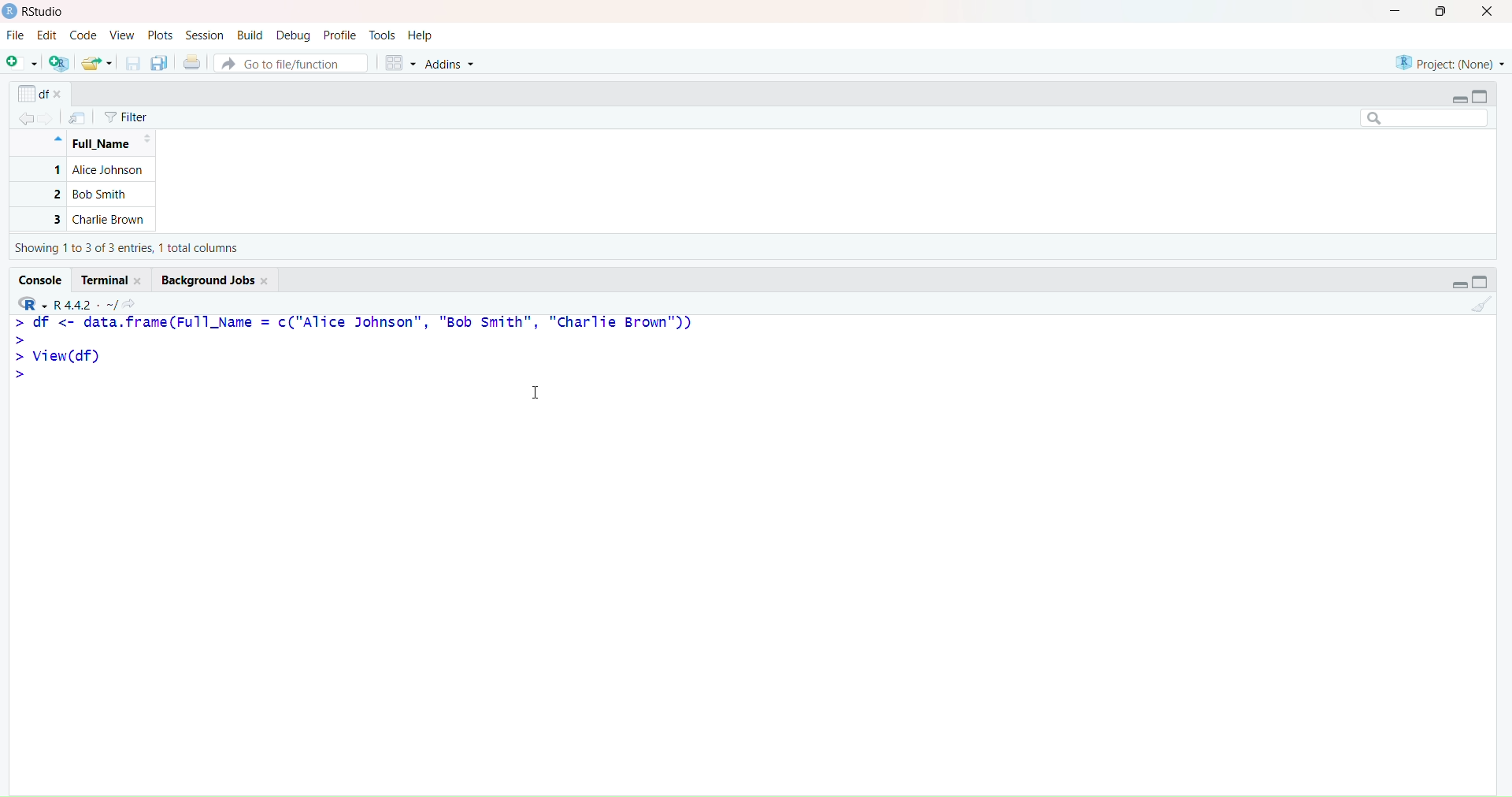  Describe the element at coordinates (191, 63) in the screenshot. I see `Print the current file` at that location.